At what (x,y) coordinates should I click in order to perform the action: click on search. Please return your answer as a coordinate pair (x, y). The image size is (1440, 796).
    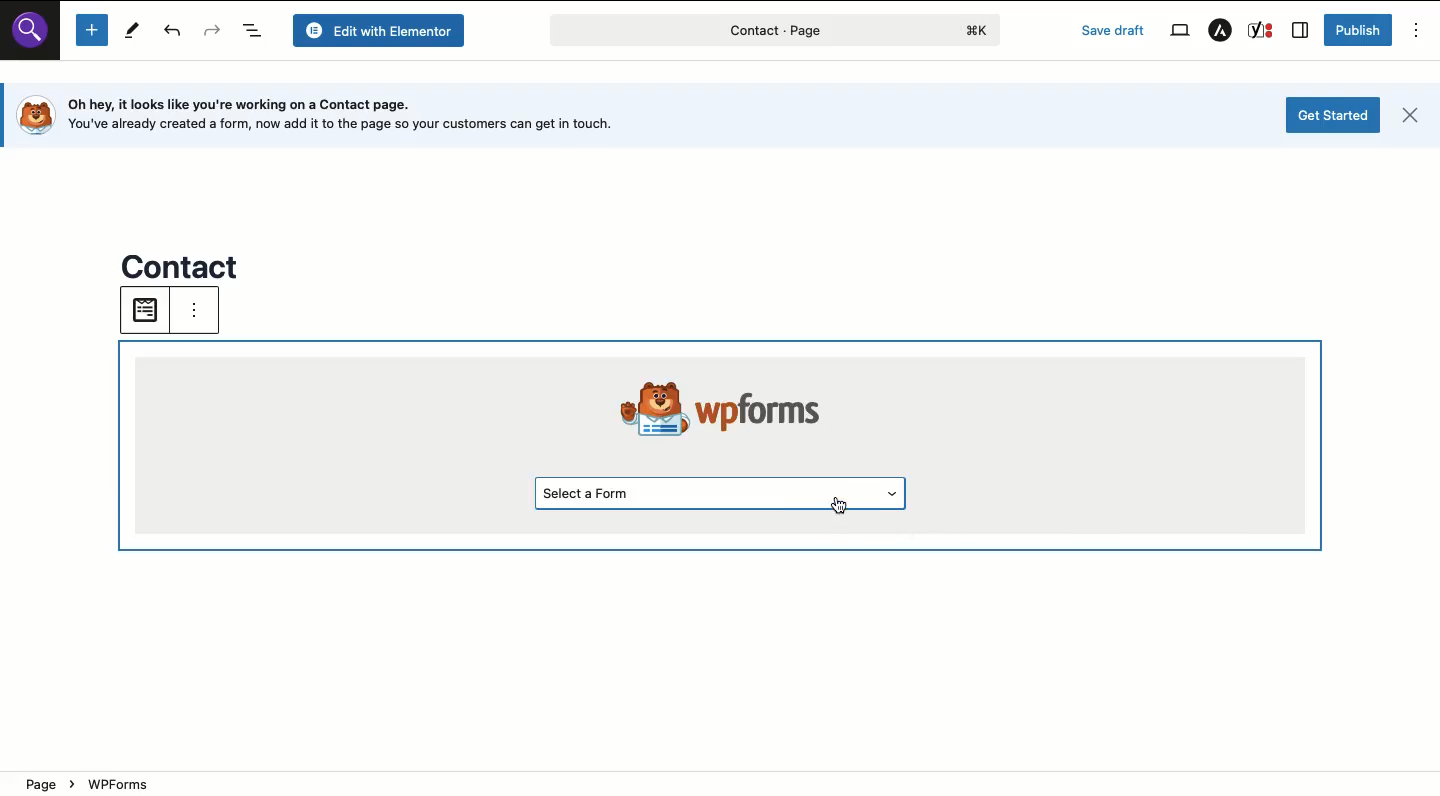
    Looking at the image, I should click on (36, 38).